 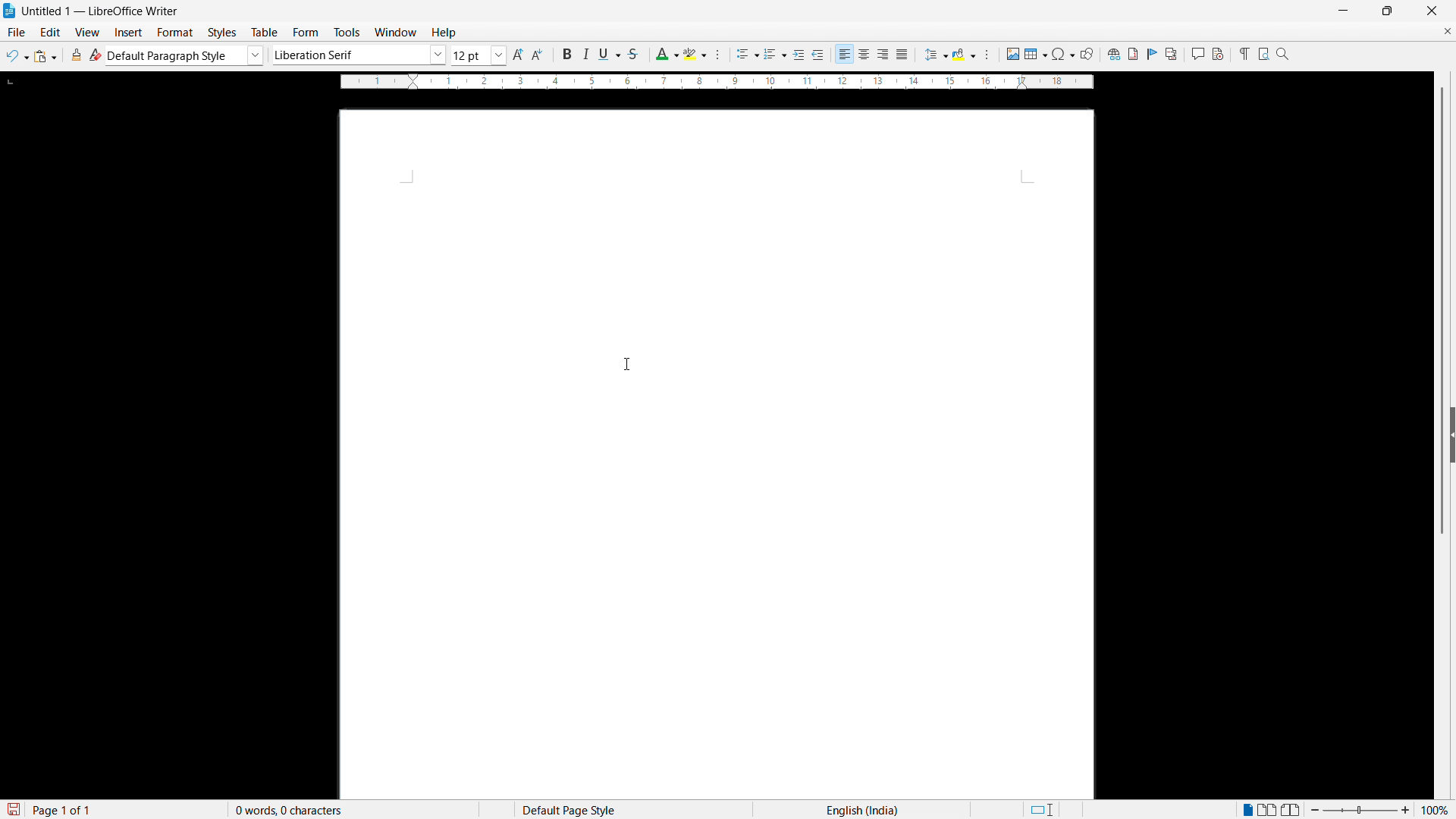 What do you see at coordinates (77, 55) in the screenshot?
I see `Clone formatting ` at bounding box center [77, 55].